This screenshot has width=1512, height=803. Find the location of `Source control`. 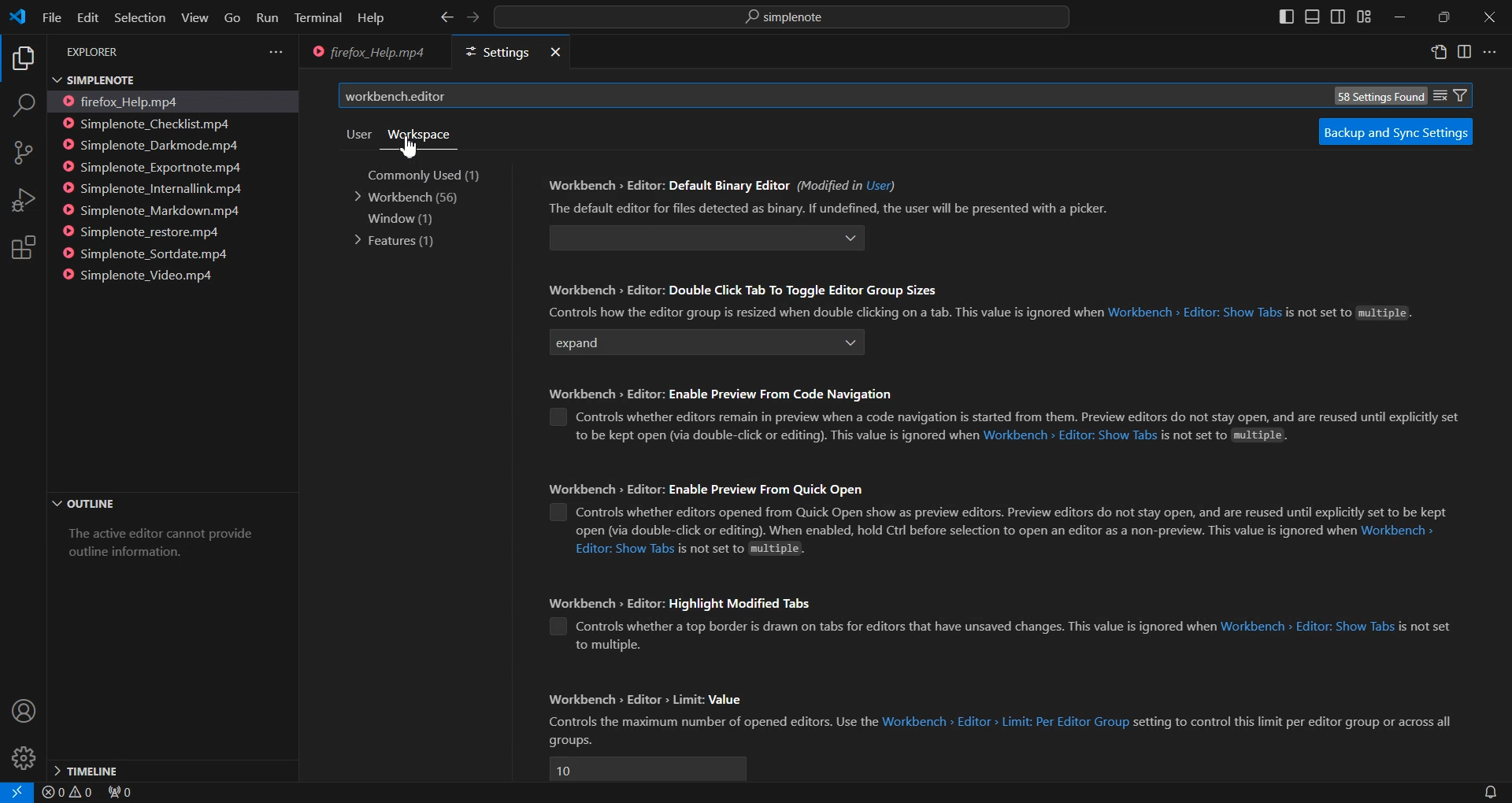

Source control is located at coordinates (23, 153).